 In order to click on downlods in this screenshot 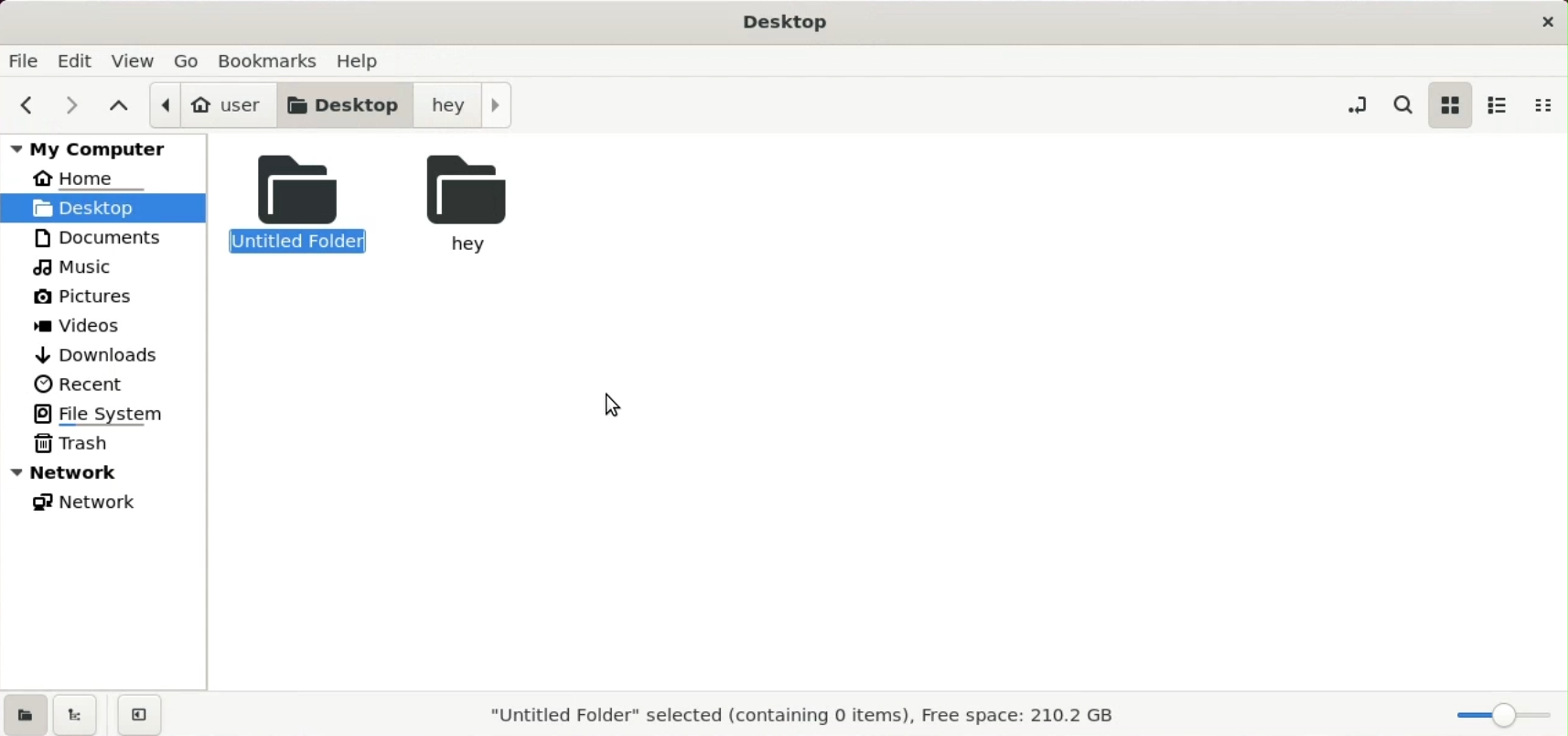, I will do `click(107, 354)`.